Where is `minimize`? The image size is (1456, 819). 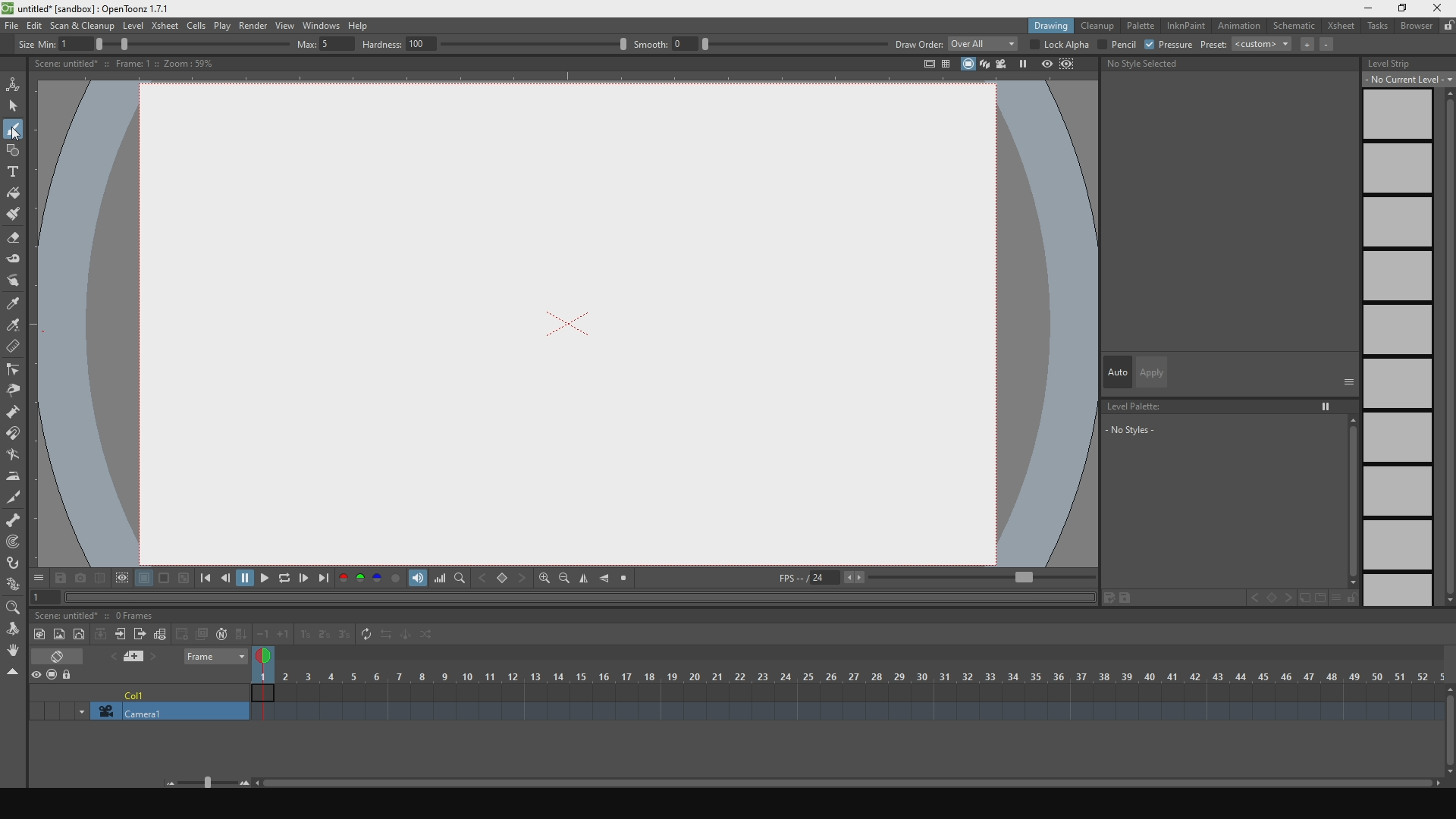
minimize is located at coordinates (1368, 7).